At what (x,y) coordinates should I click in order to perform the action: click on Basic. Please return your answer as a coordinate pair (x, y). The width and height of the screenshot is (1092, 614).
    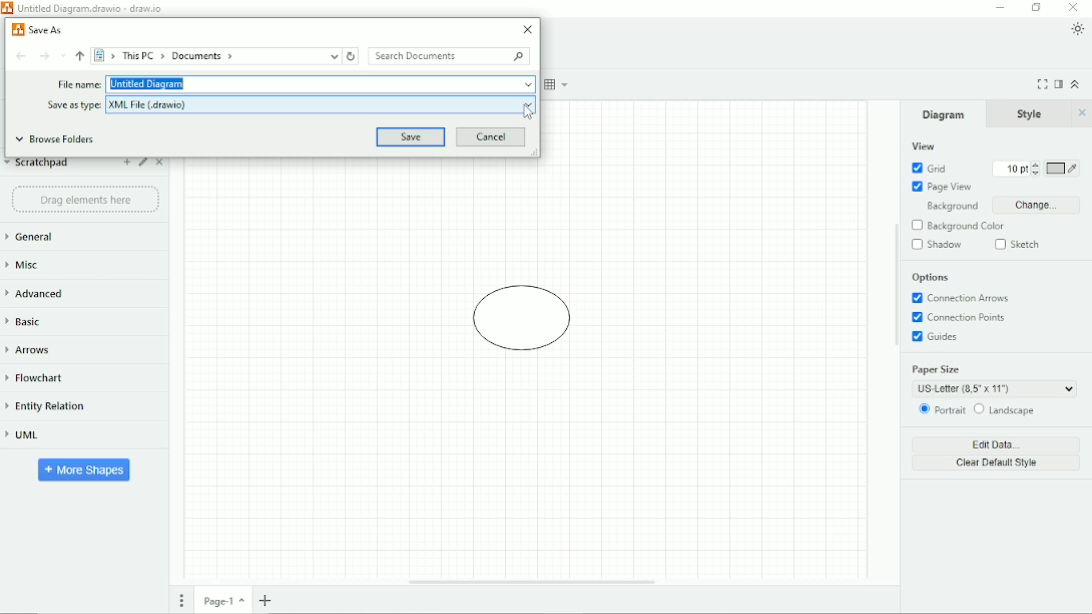
    Looking at the image, I should click on (29, 321).